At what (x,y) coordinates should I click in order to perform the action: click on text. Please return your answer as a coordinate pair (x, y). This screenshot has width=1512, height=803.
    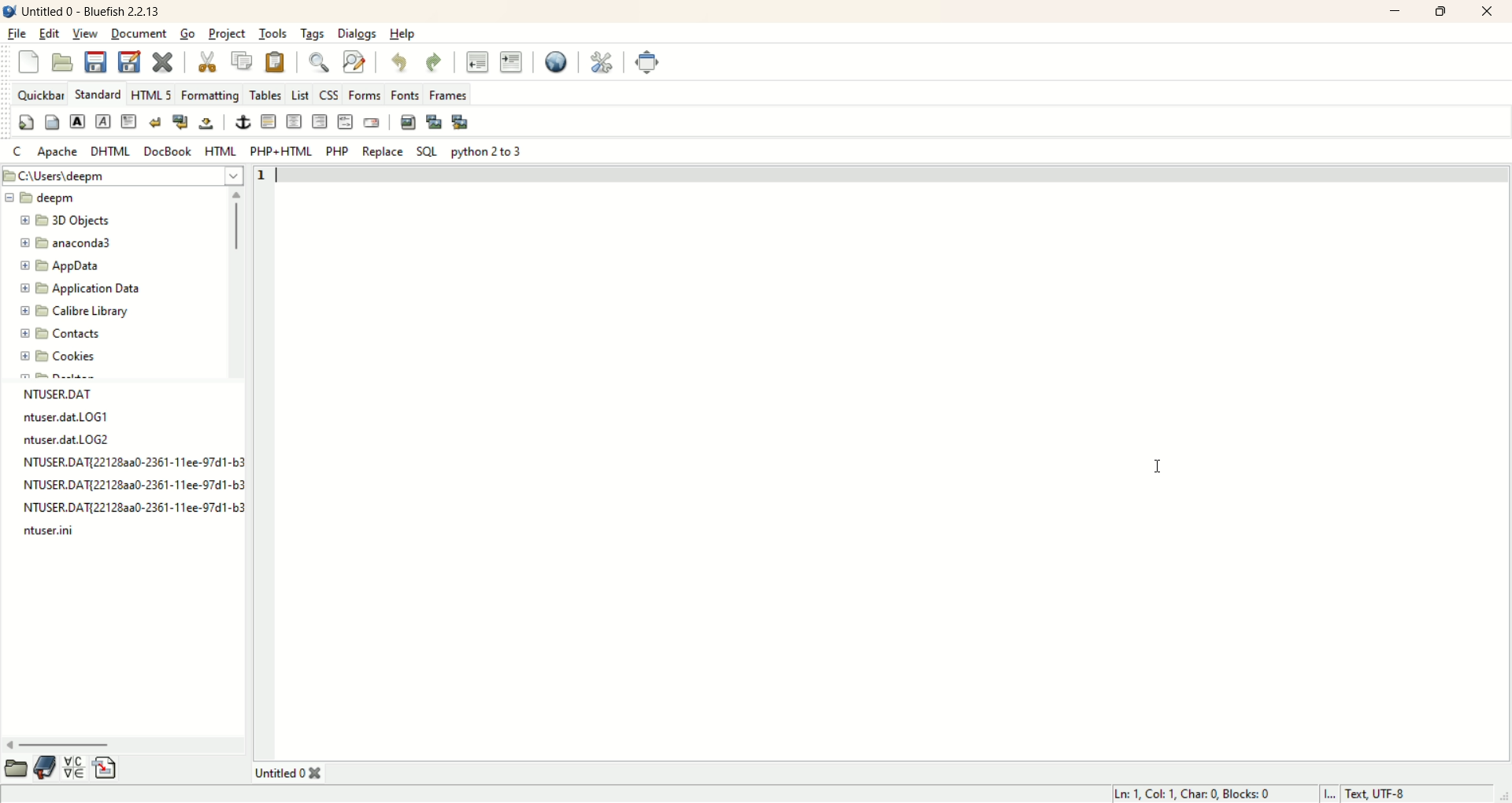
    Looking at the image, I should click on (124, 469).